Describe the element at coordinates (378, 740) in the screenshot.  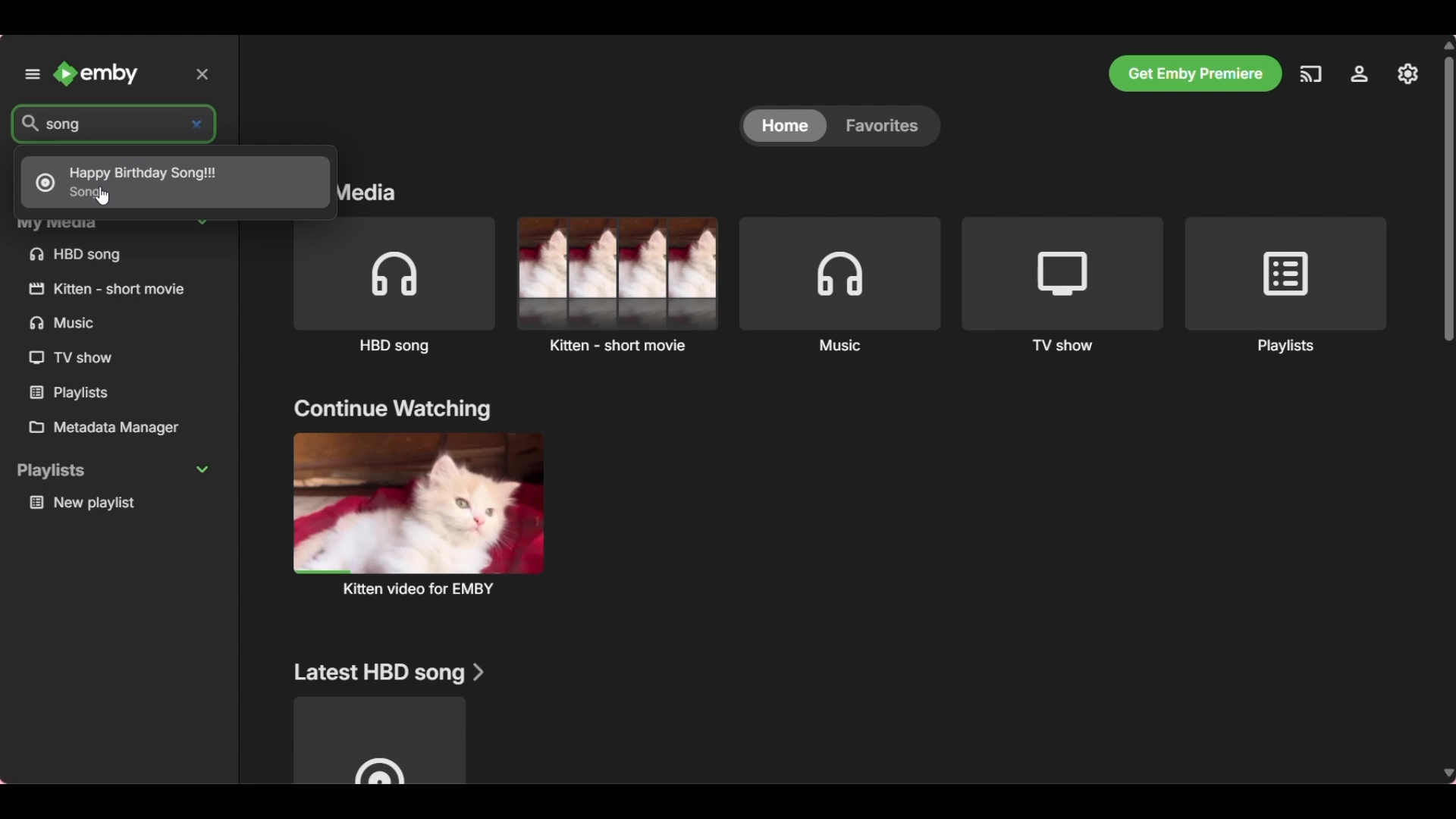
I see `Media under above mentioned title` at that location.